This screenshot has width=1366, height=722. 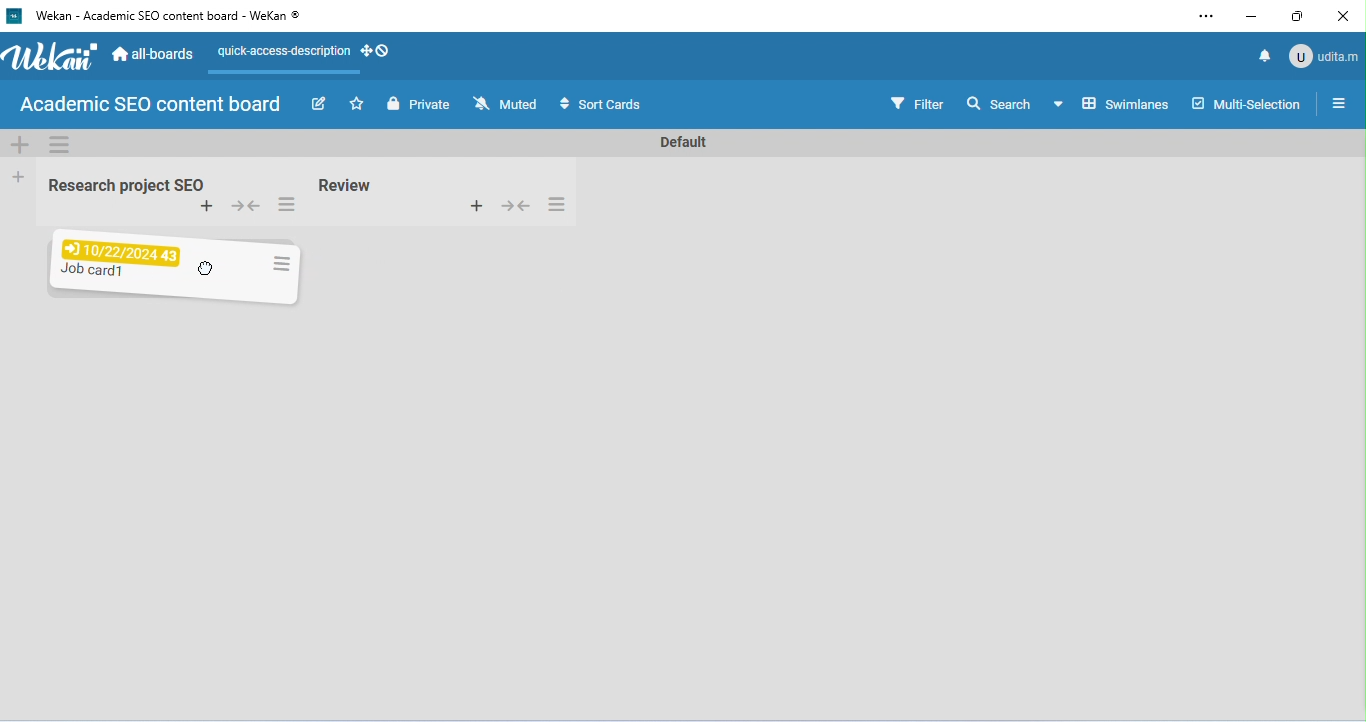 What do you see at coordinates (248, 208) in the screenshot?
I see `collapse` at bounding box center [248, 208].